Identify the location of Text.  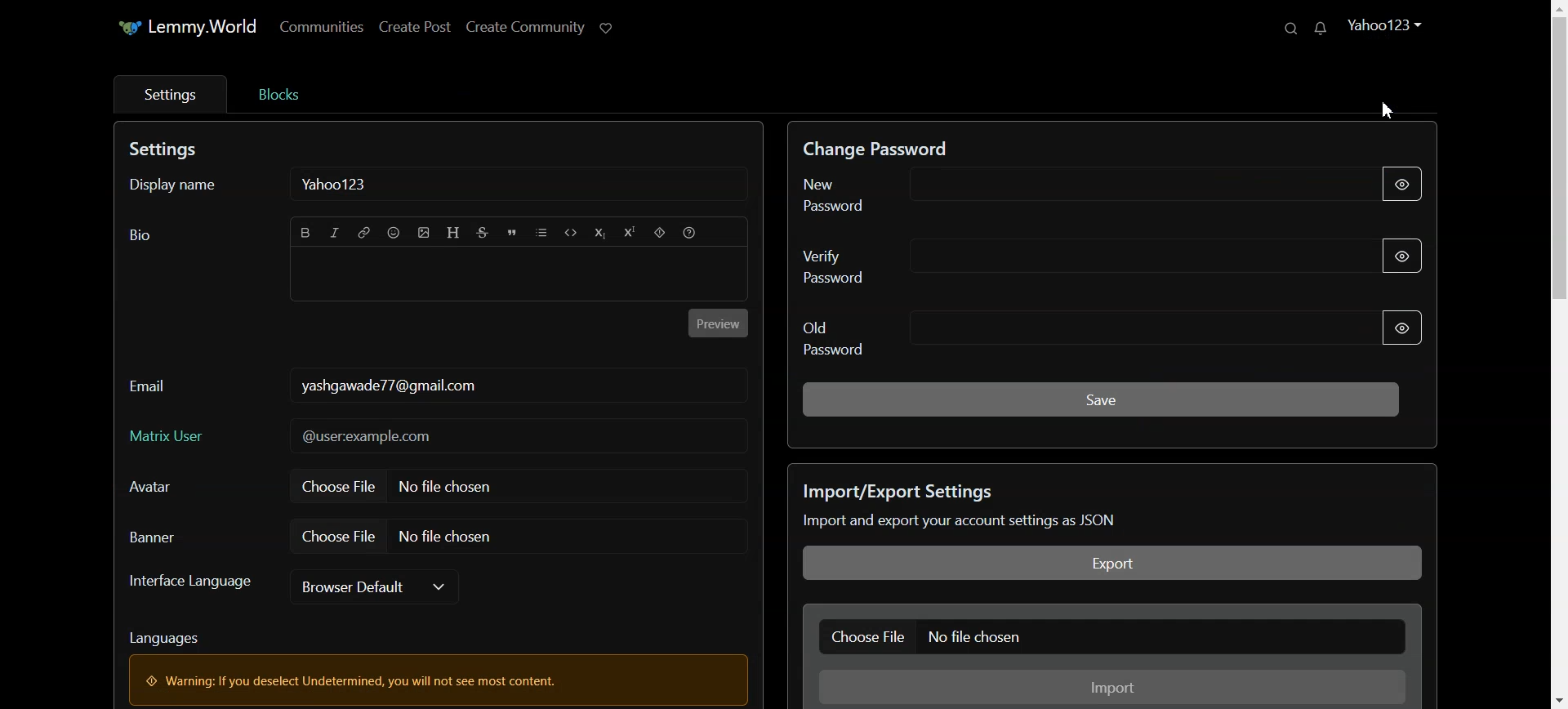
(149, 235).